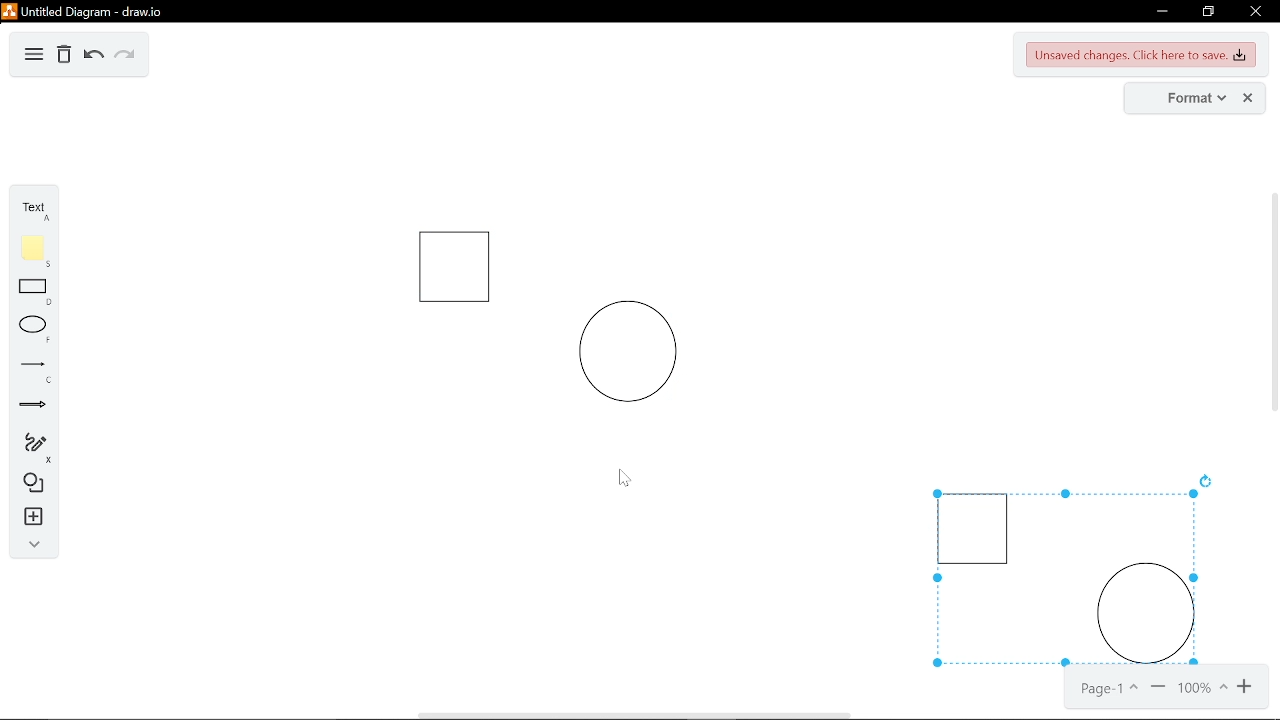 The image size is (1280, 720). What do you see at coordinates (1249, 98) in the screenshot?
I see `close format` at bounding box center [1249, 98].